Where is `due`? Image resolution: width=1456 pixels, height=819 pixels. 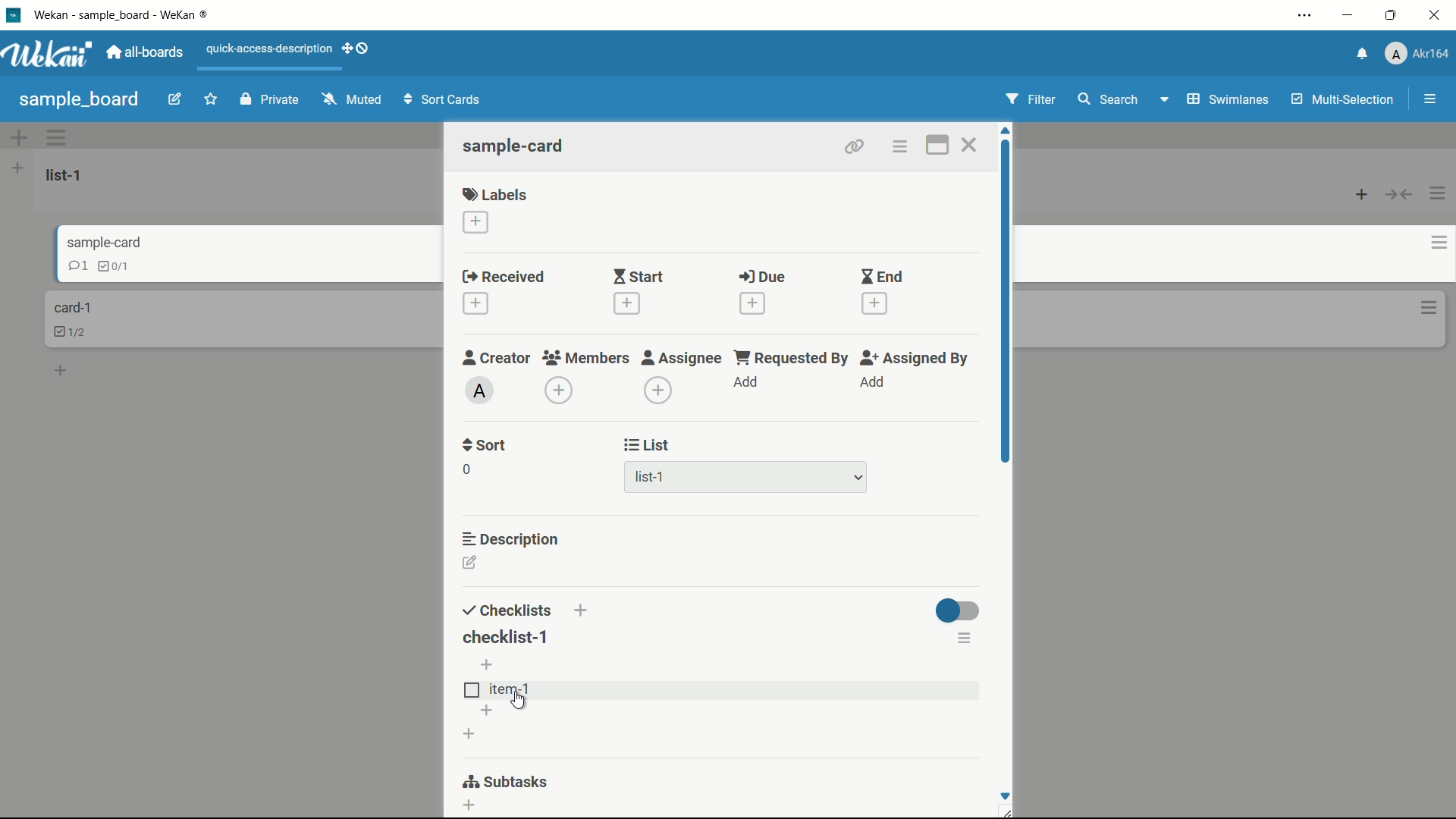
due is located at coordinates (763, 277).